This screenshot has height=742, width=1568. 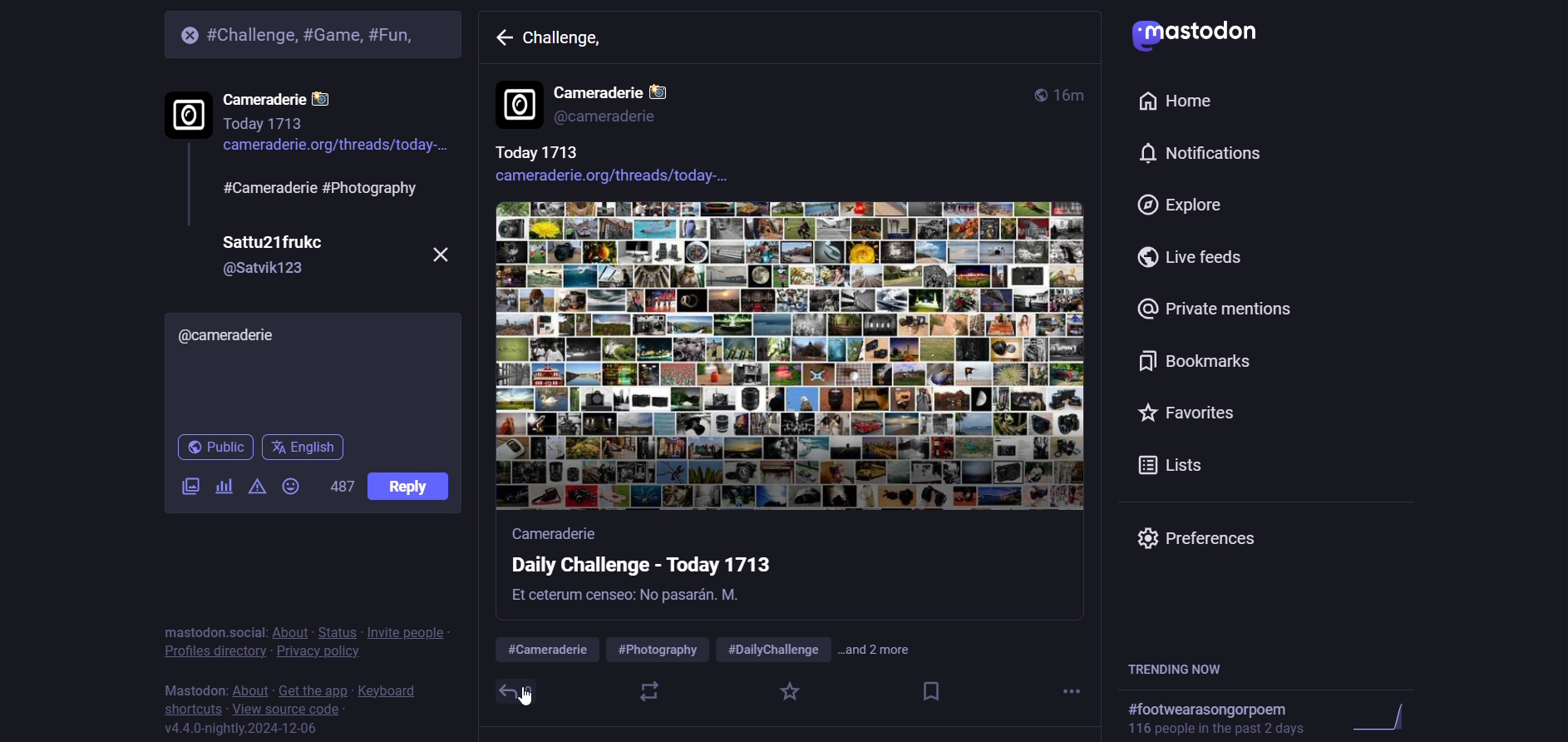 What do you see at coordinates (611, 122) in the screenshot?
I see `@cameraderie` at bounding box center [611, 122].